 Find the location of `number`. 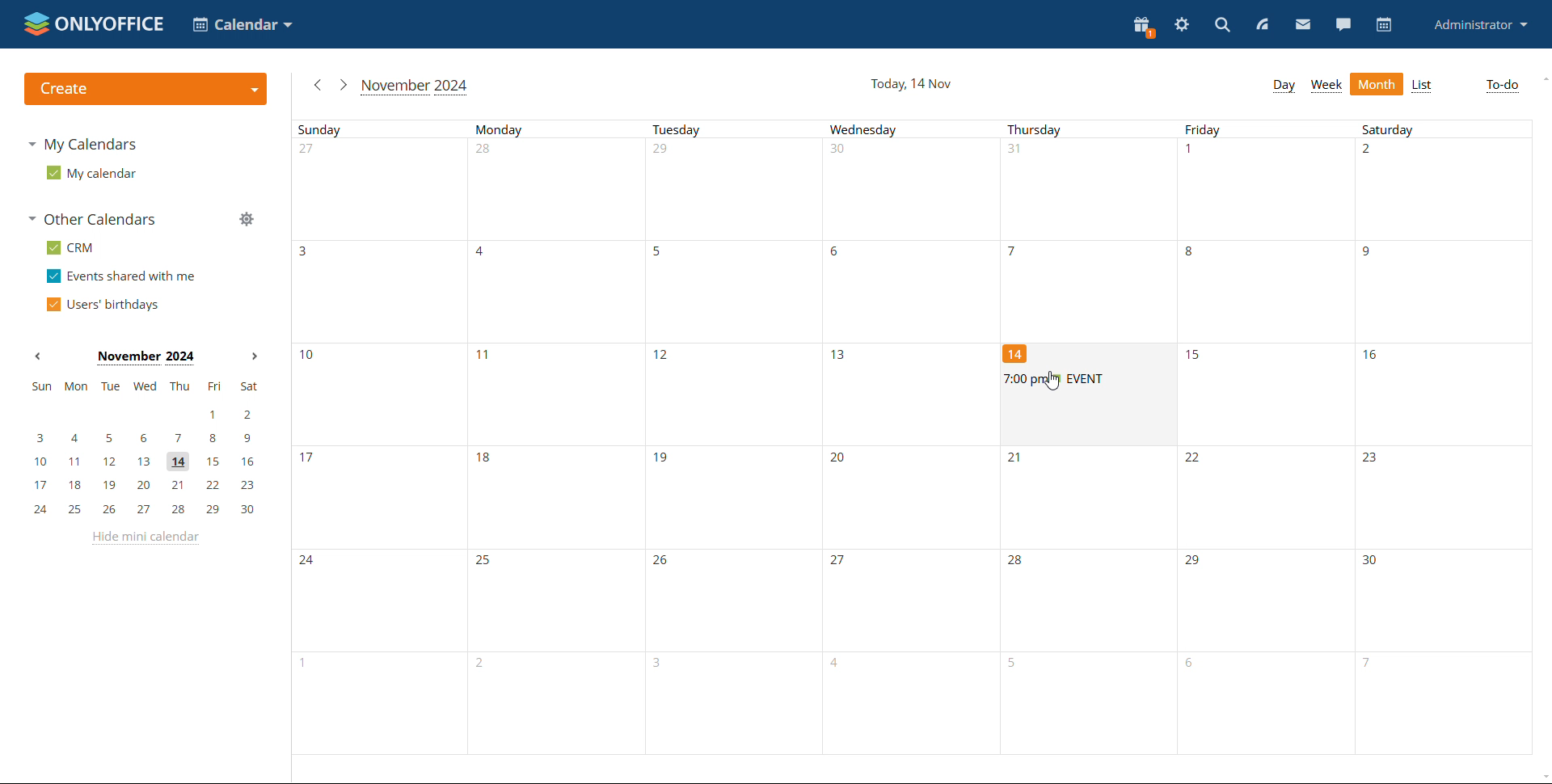

number is located at coordinates (484, 252).